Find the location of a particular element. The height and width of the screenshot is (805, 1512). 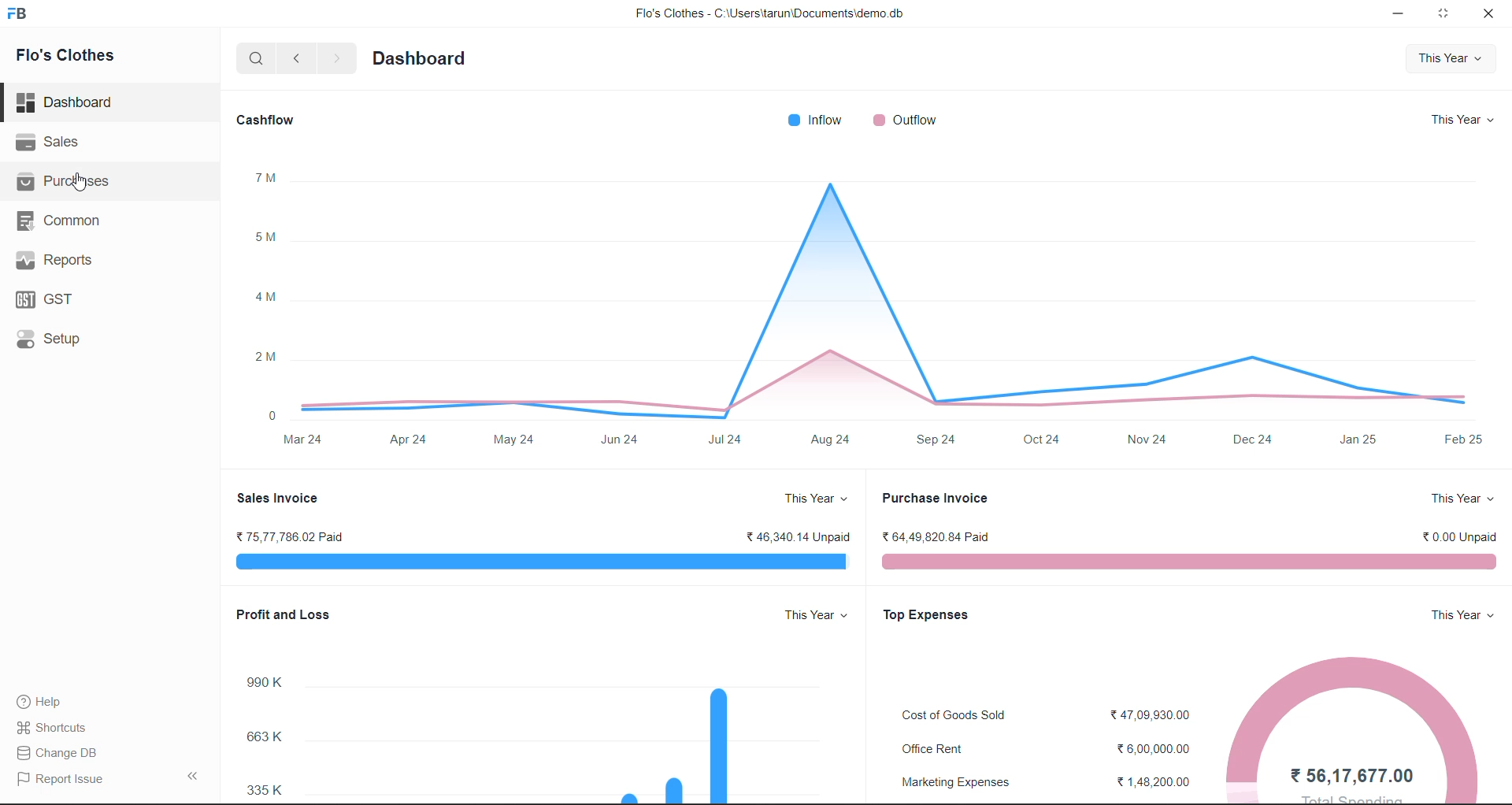

Top Expenses is located at coordinates (931, 617).